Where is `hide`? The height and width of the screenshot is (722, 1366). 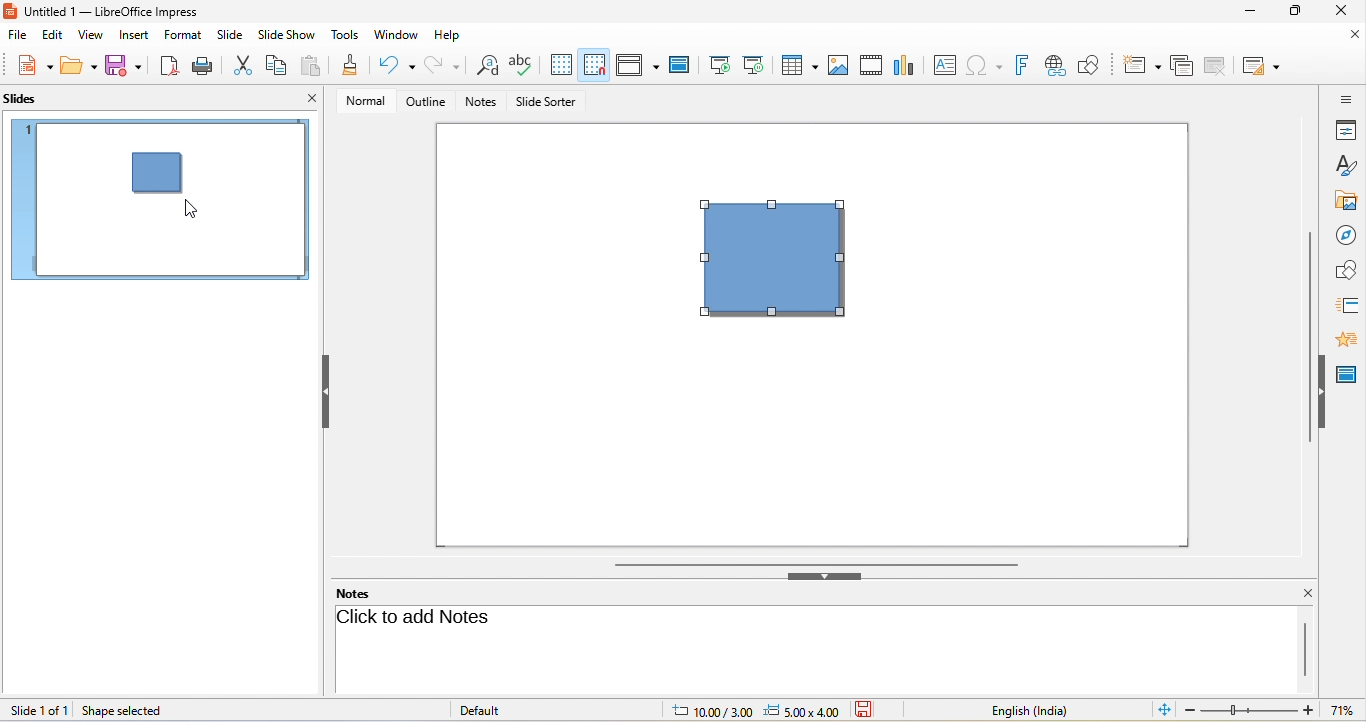 hide is located at coordinates (1325, 395).